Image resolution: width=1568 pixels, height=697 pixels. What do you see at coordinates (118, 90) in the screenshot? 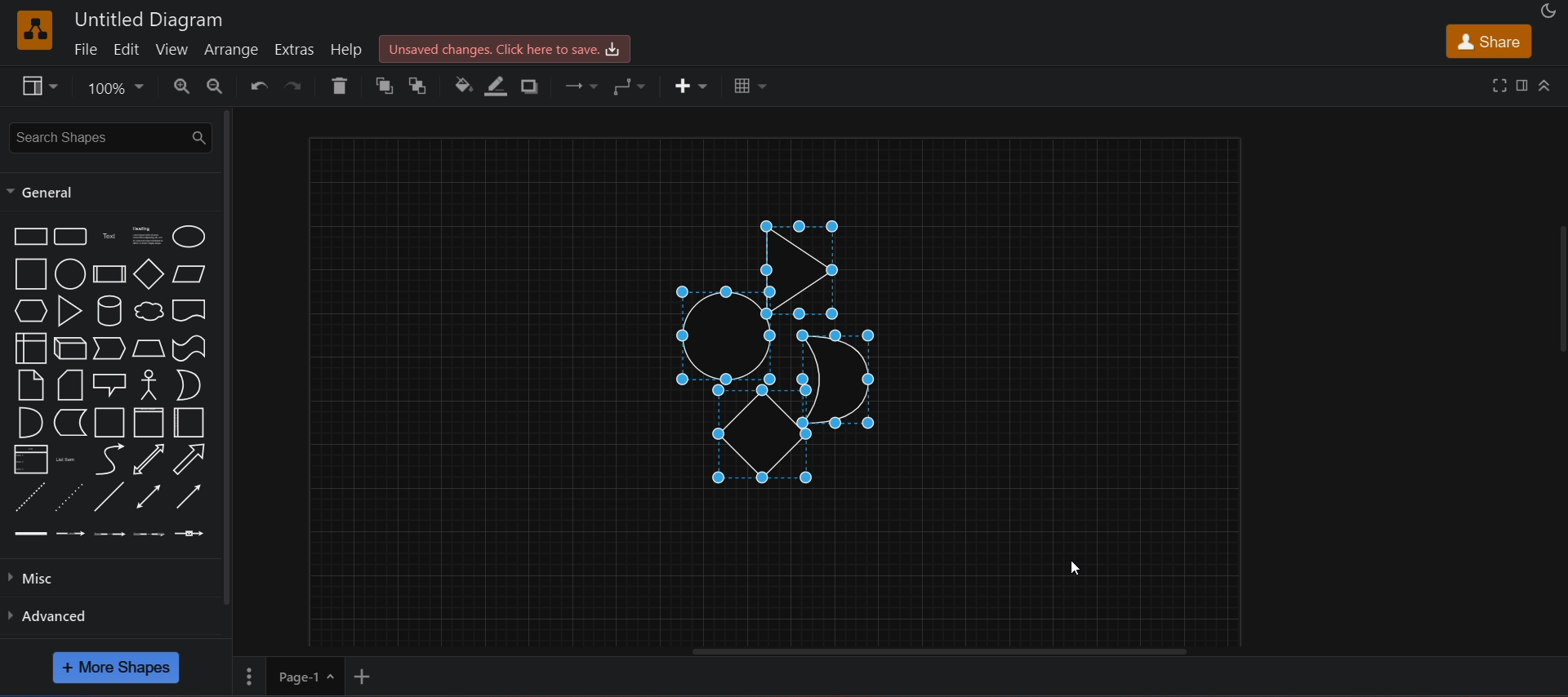
I see `zoom` at bounding box center [118, 90].